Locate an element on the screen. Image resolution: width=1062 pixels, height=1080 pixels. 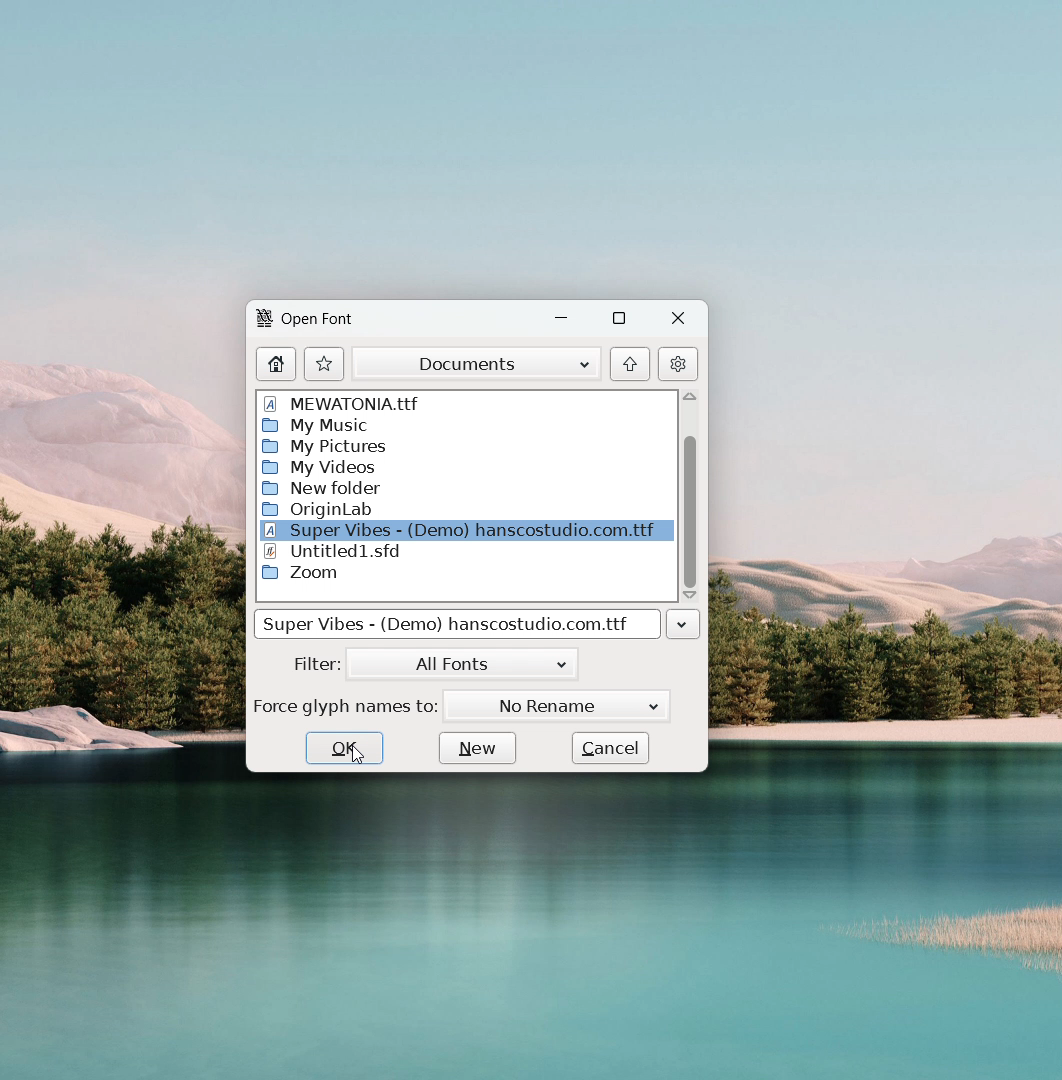
Super Vibes - (Demo) hanscostudio.com.ttf is located at coordinates (467, 532).